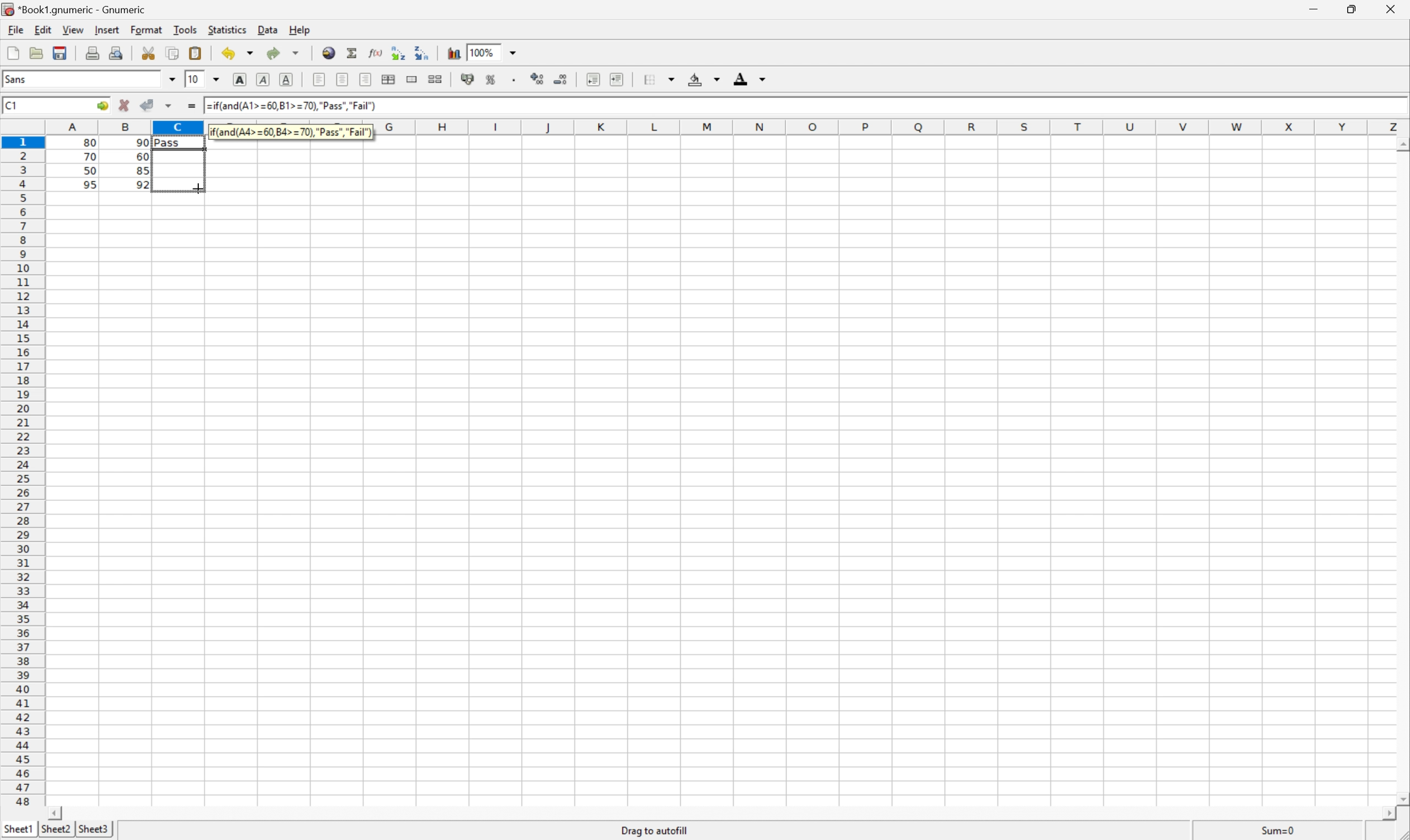 The height and width of the screenshot is (840, 1410). Describe the element at coordinates (1385, 813) in the screenshot. I see `Scroll Right` at that location.